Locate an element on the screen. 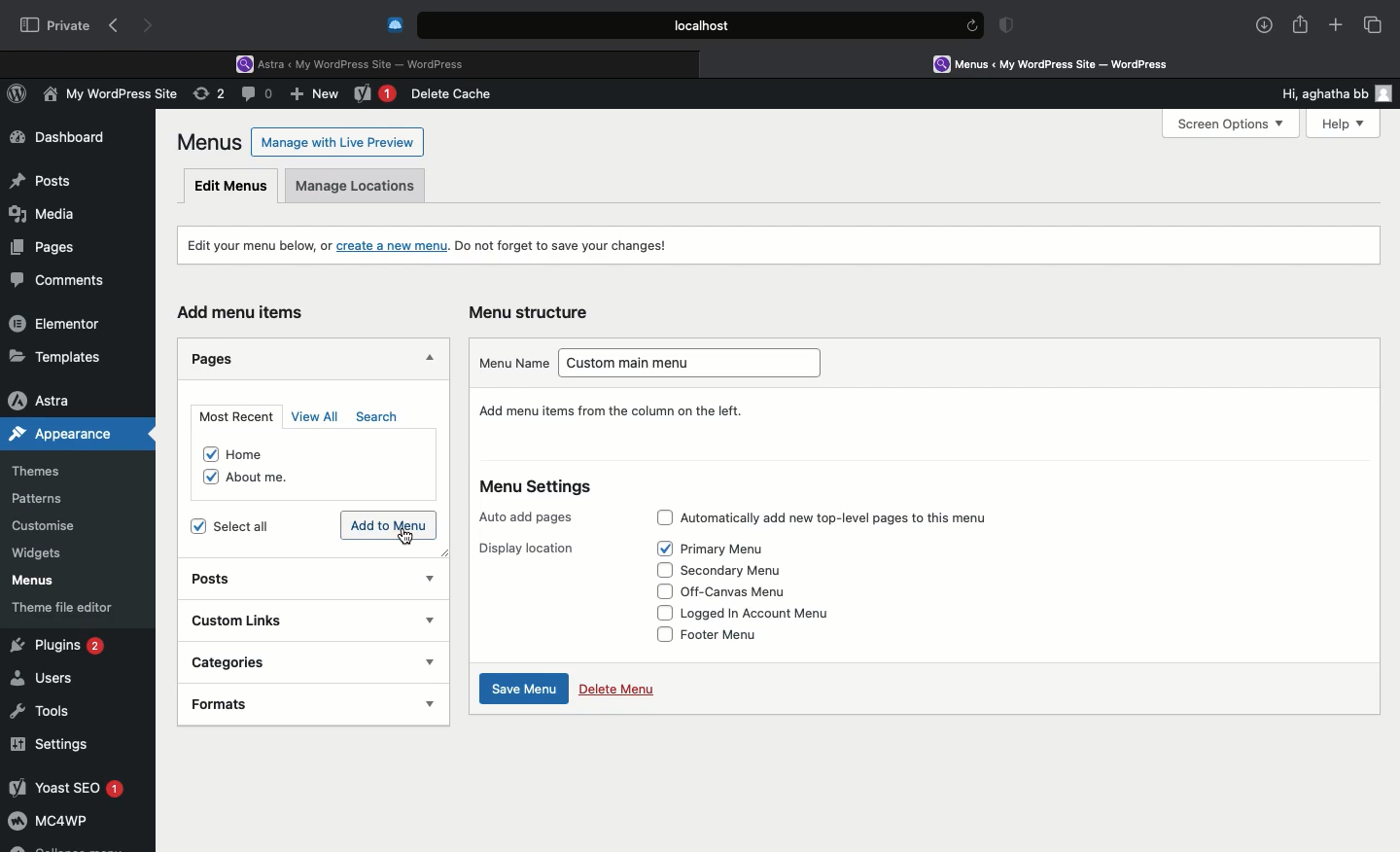  checkbox is located at coordinates (204, 476).